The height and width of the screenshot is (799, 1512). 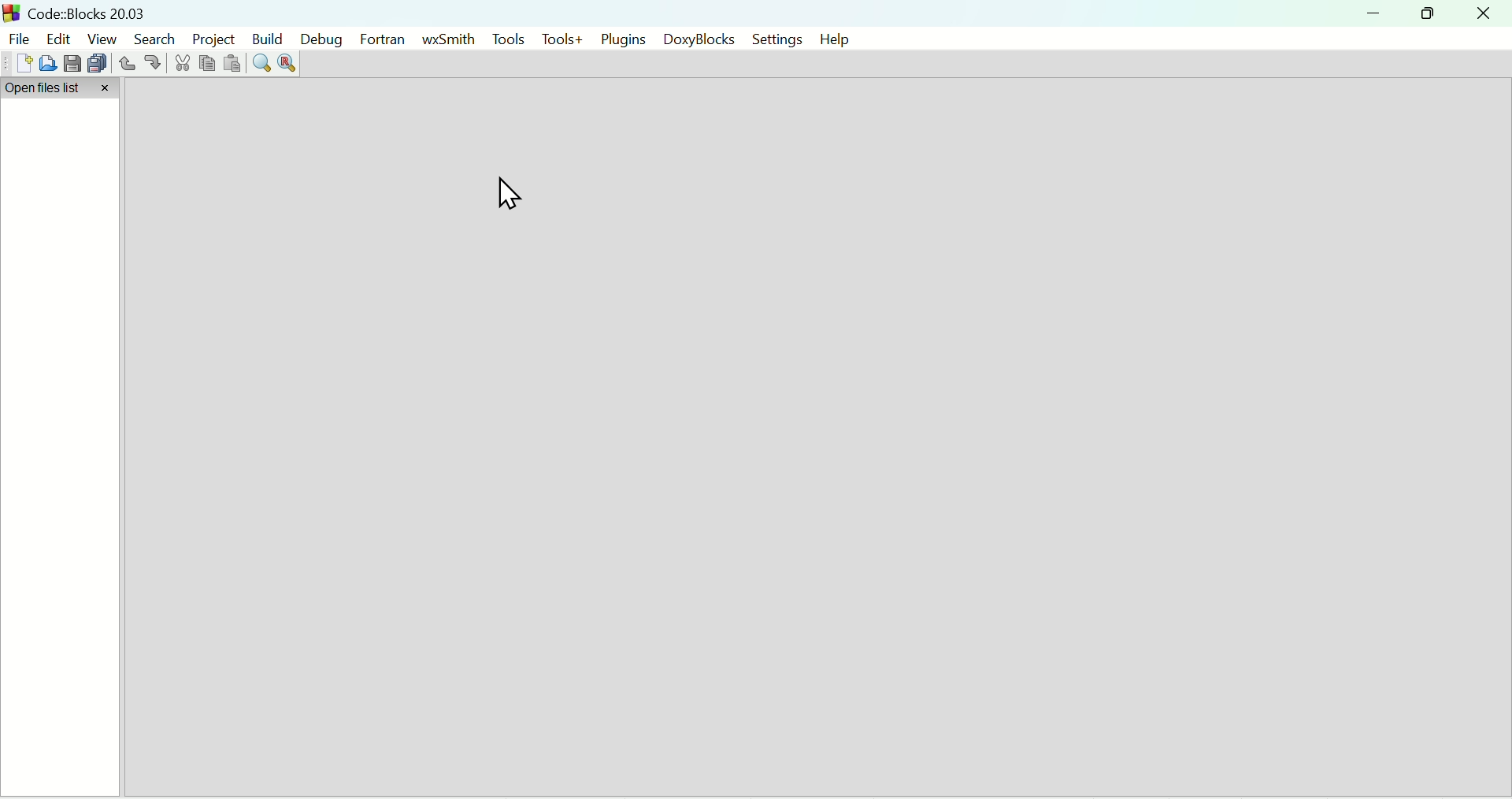 What do you see at coordinates (98, 63) in the screenshot?
I see `Save everything` at bounding box center [98, 63].